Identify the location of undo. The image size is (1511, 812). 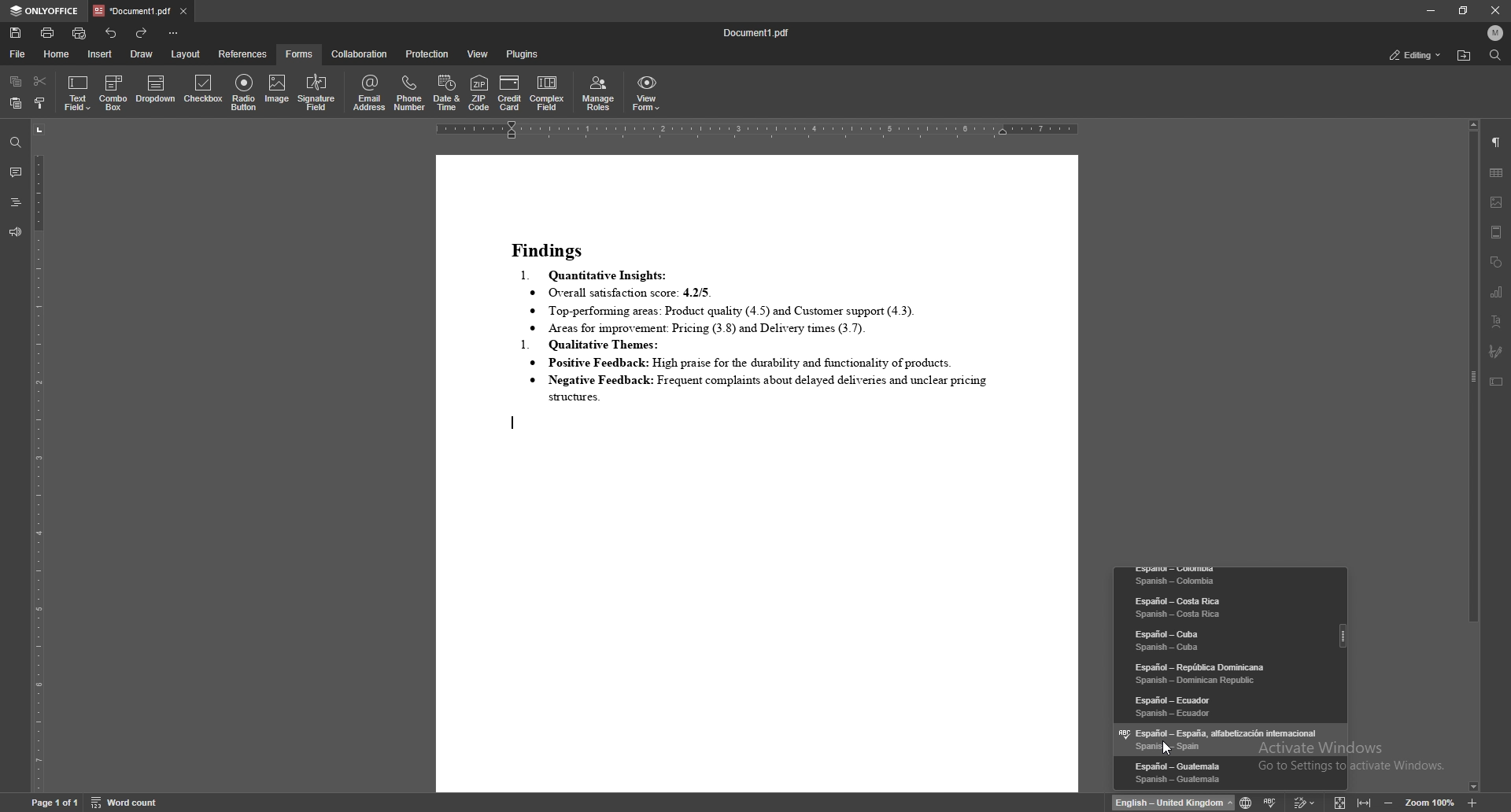
(112, 33).